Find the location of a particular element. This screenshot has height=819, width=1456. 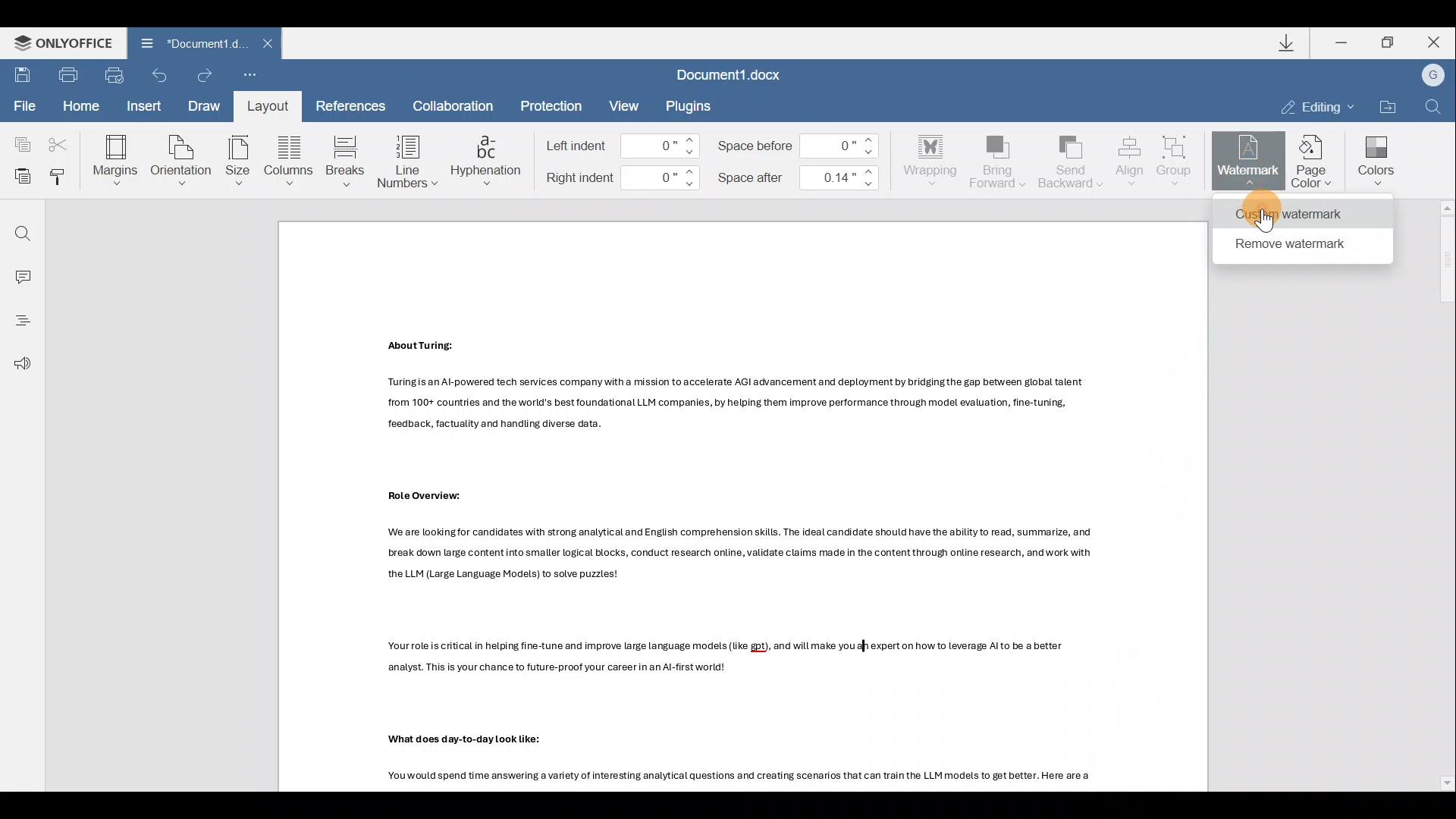

Redo is located at coordinates (202, 74).